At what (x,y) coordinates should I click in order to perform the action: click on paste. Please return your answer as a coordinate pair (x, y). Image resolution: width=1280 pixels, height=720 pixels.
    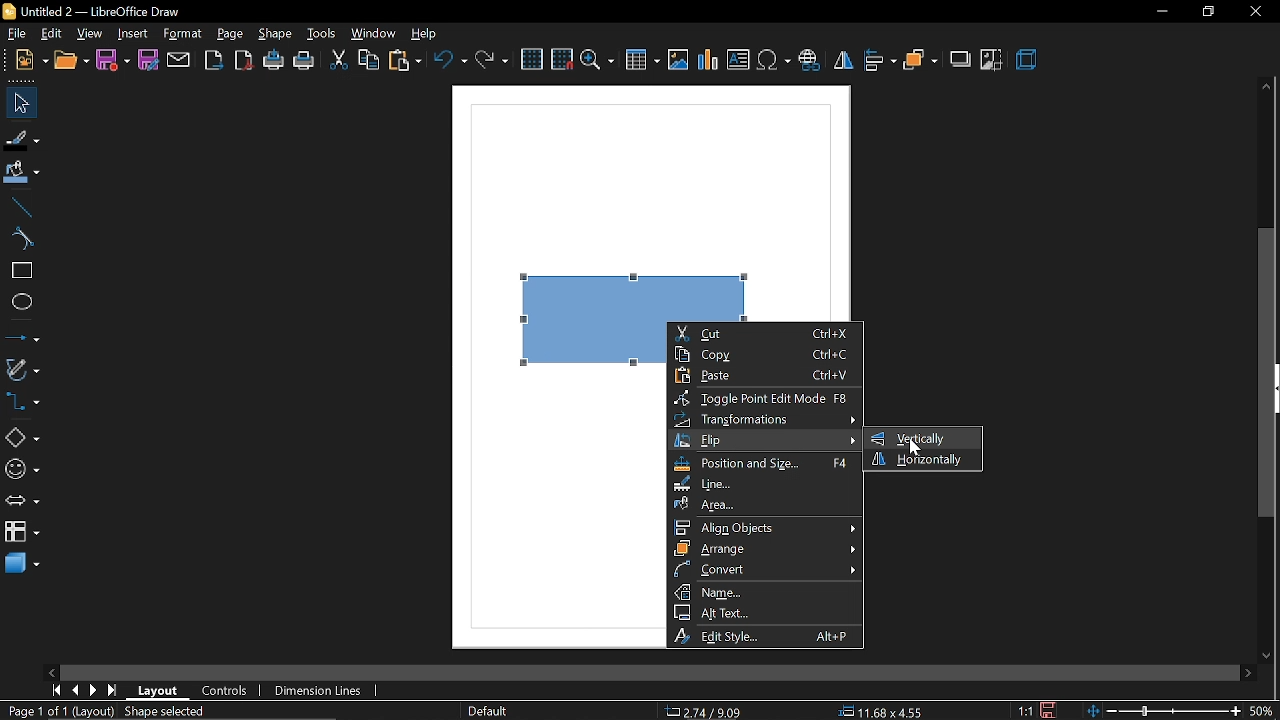
    Looking at the image, I should click on (770, 375).